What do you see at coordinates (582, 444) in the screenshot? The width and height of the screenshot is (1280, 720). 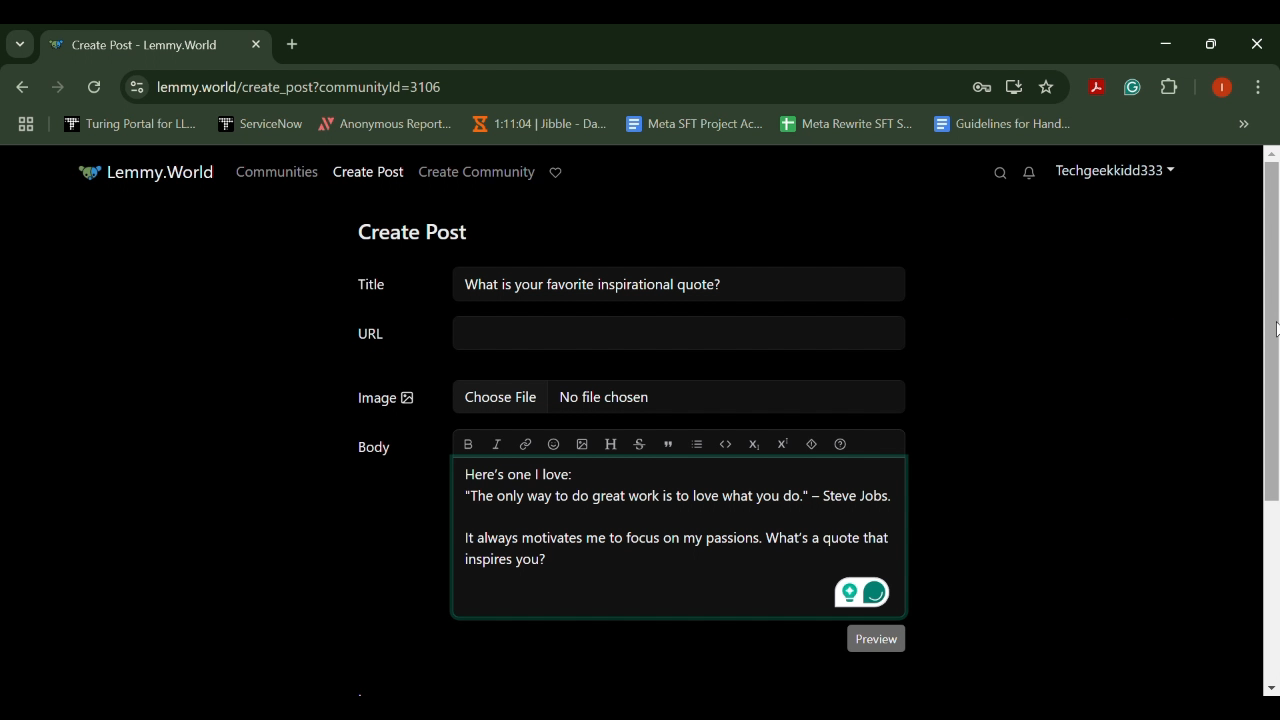 I see `upload image` at bounding box center [582, 444].